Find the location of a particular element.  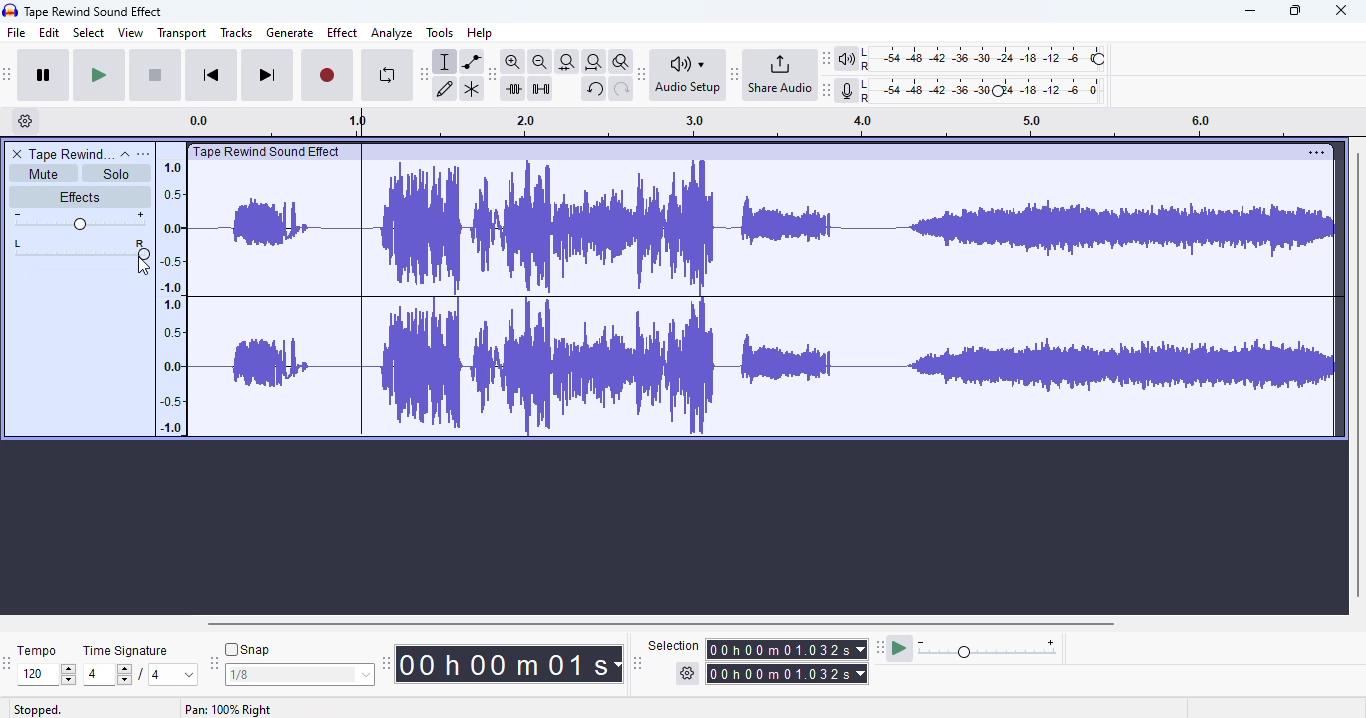

audacity transport toolbar is located at coordinates (7, 73).